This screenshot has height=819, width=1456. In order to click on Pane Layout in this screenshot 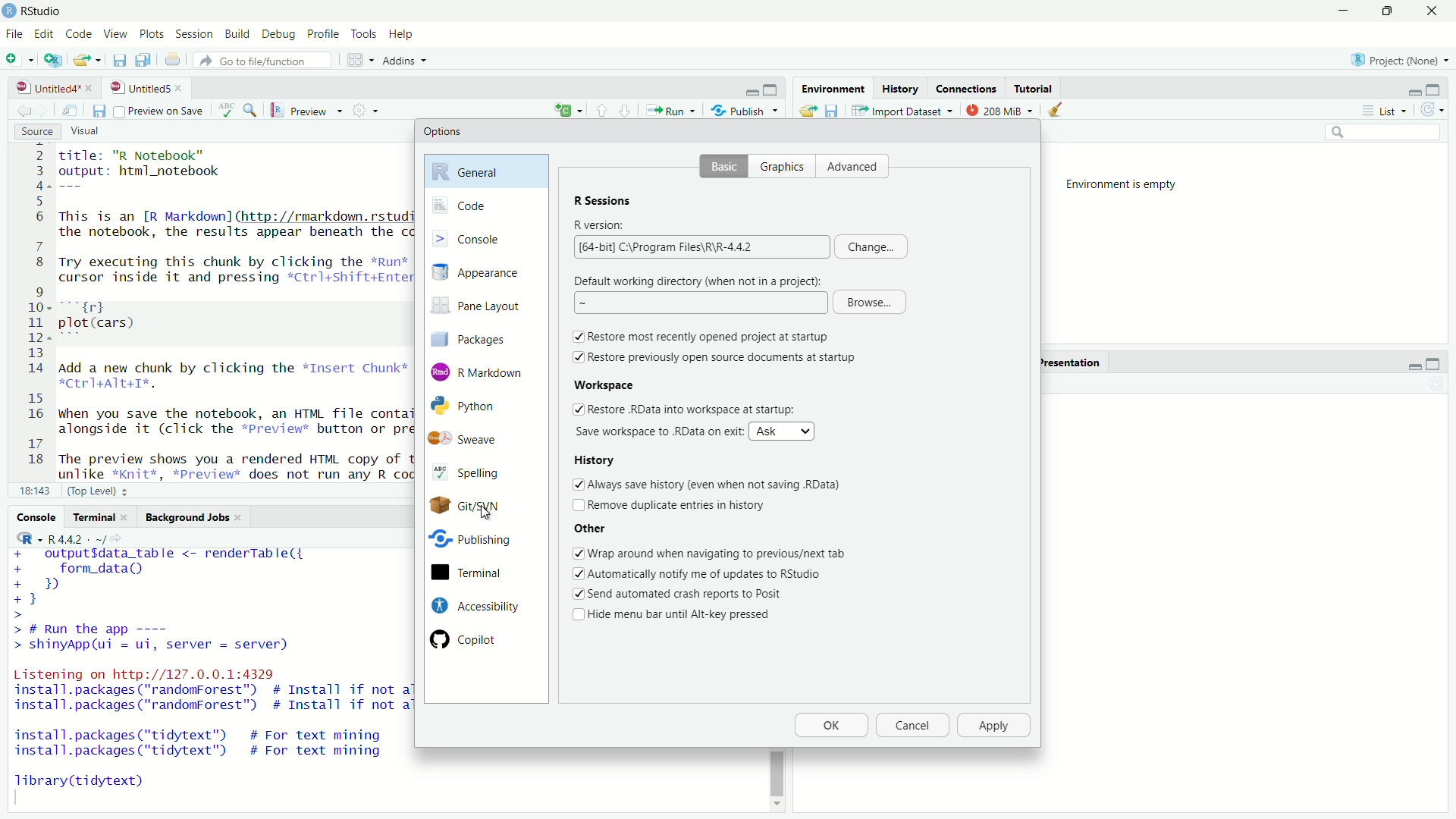, I will do `click(481, 308)`.